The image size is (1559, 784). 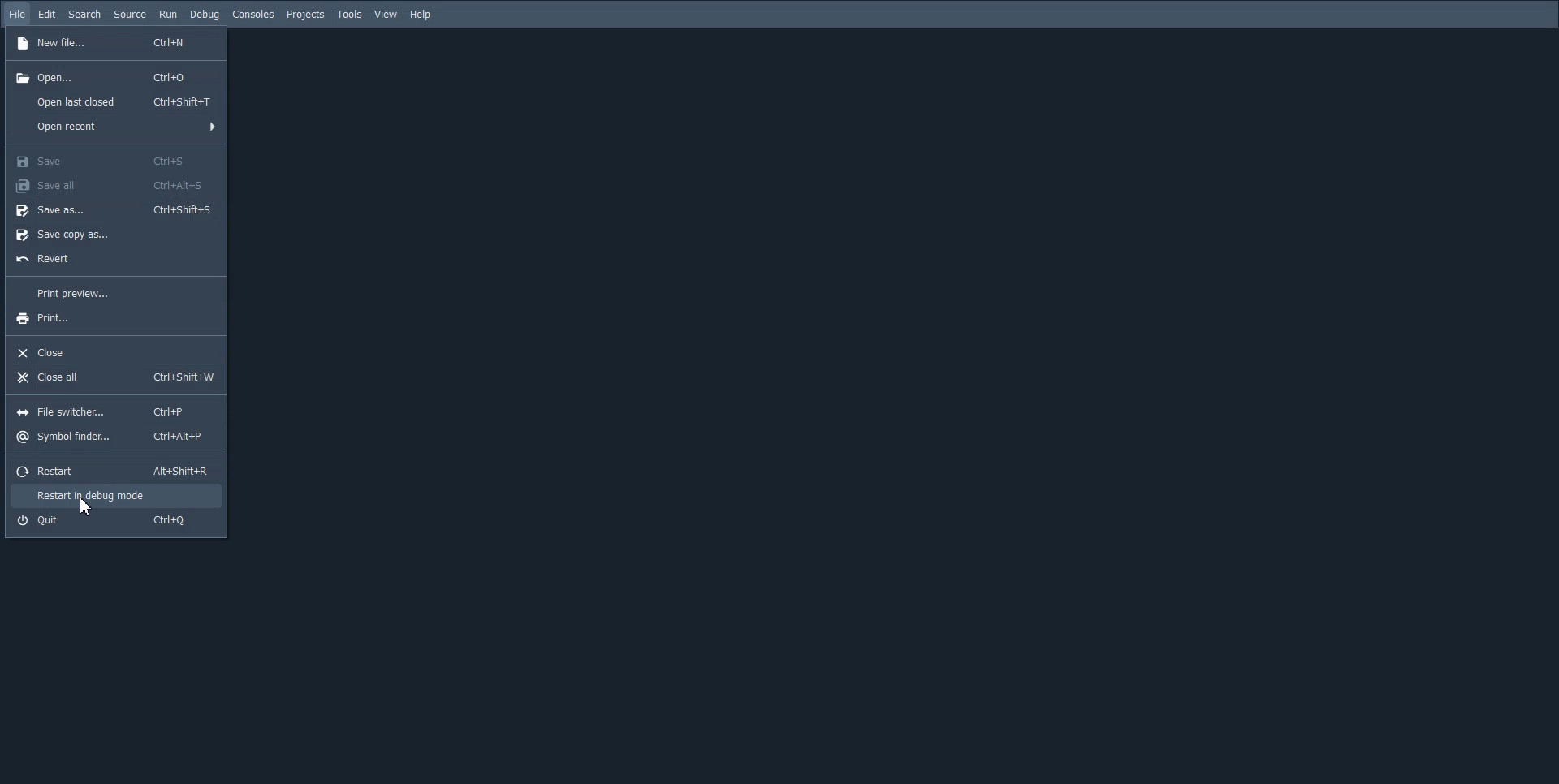 I want to click on Save as, so click(x=114, y=209).